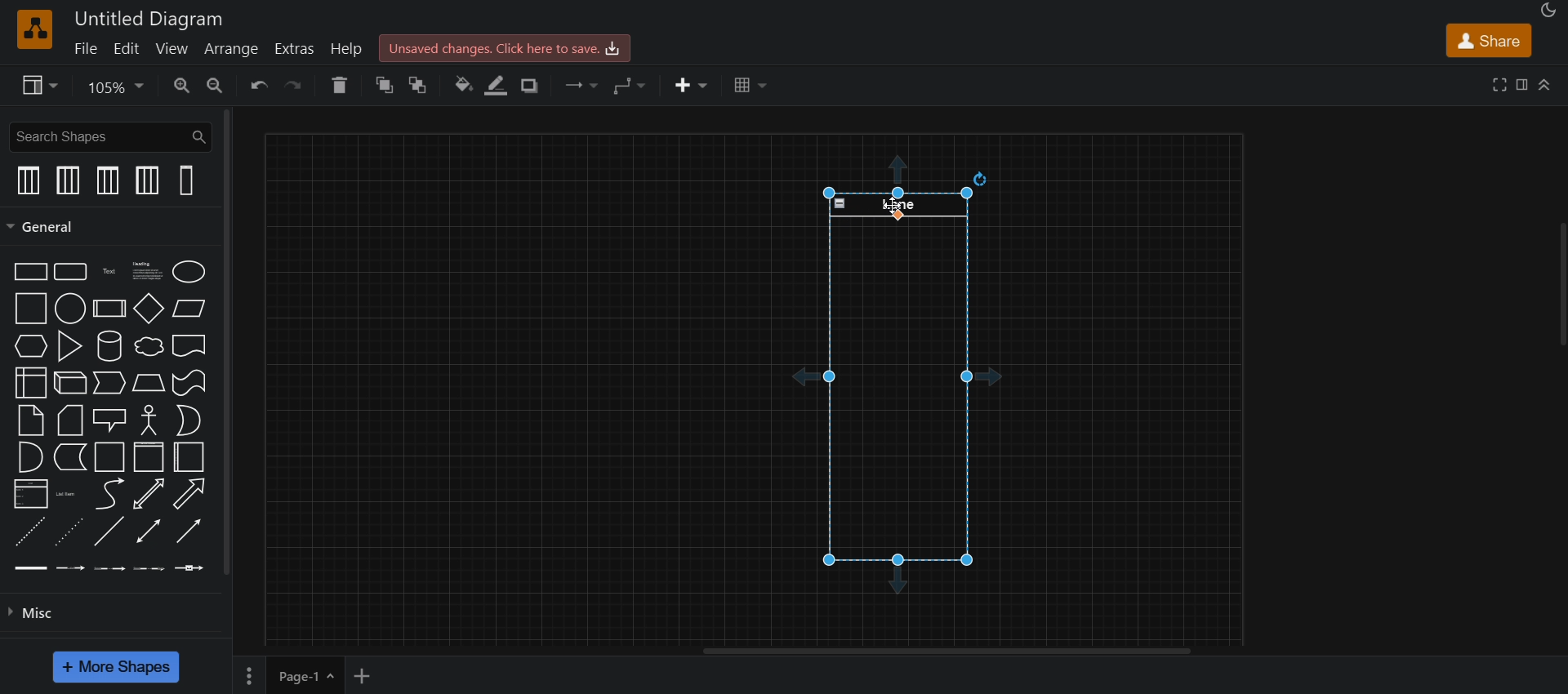  What do you see at coordinates (189, 494) in the screenshot?
I see `arrow` at bounding box center [189, 494].